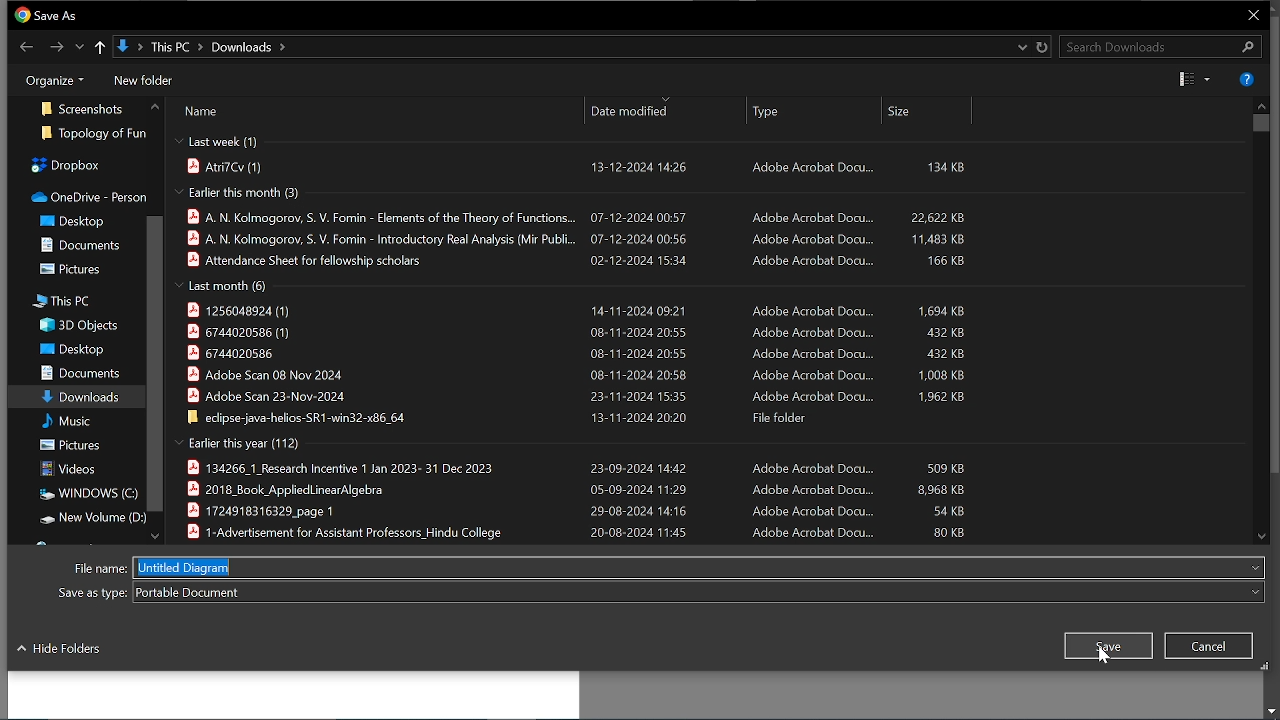 The height and width of the screenshot is (720, 1280). Describe the element at coordinates (810, 490) in the screenshot. I see `‘Adobe Acrobat Docu.` at that location.